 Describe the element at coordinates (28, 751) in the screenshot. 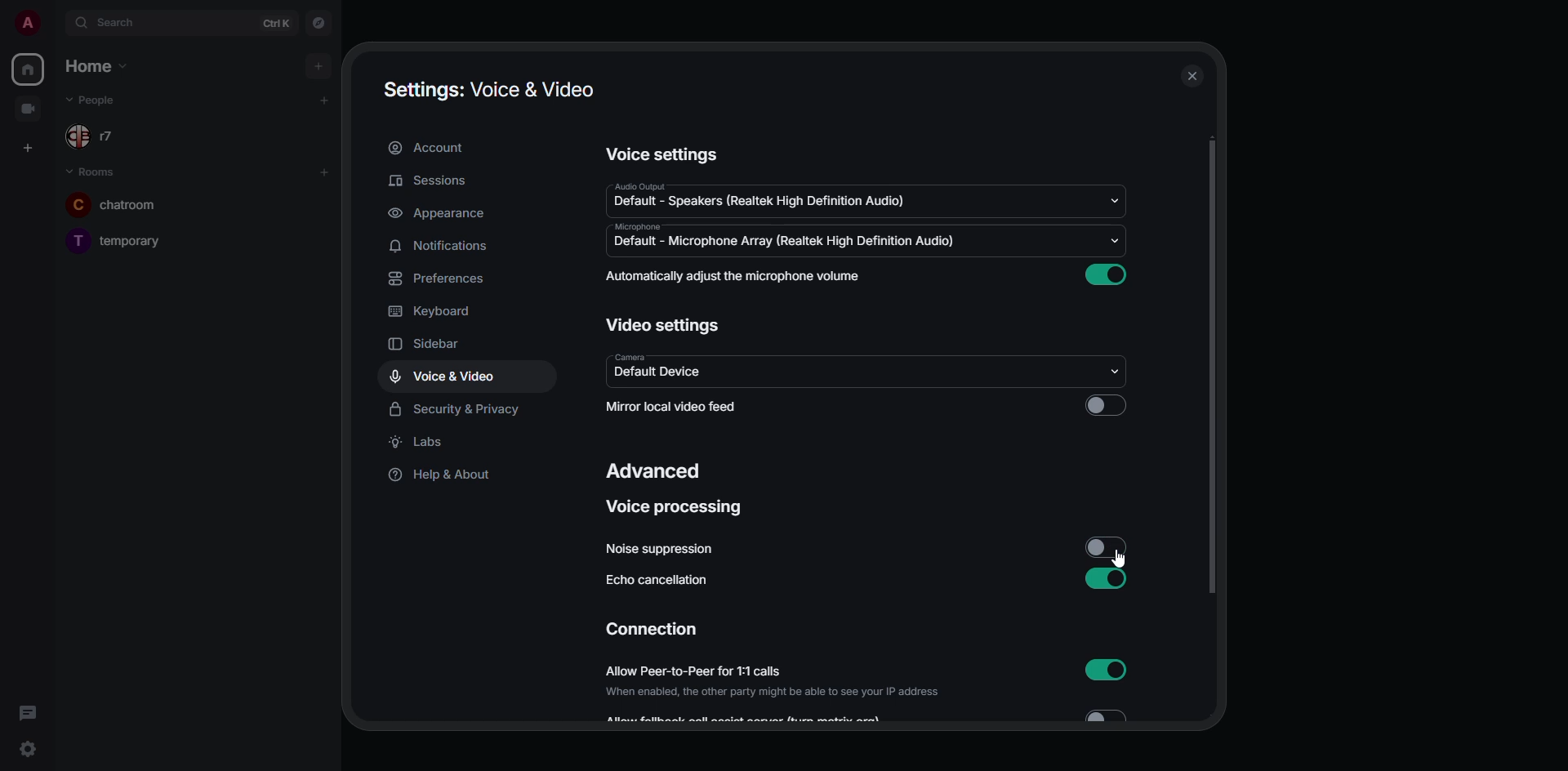

I see `quick settings` at that location.